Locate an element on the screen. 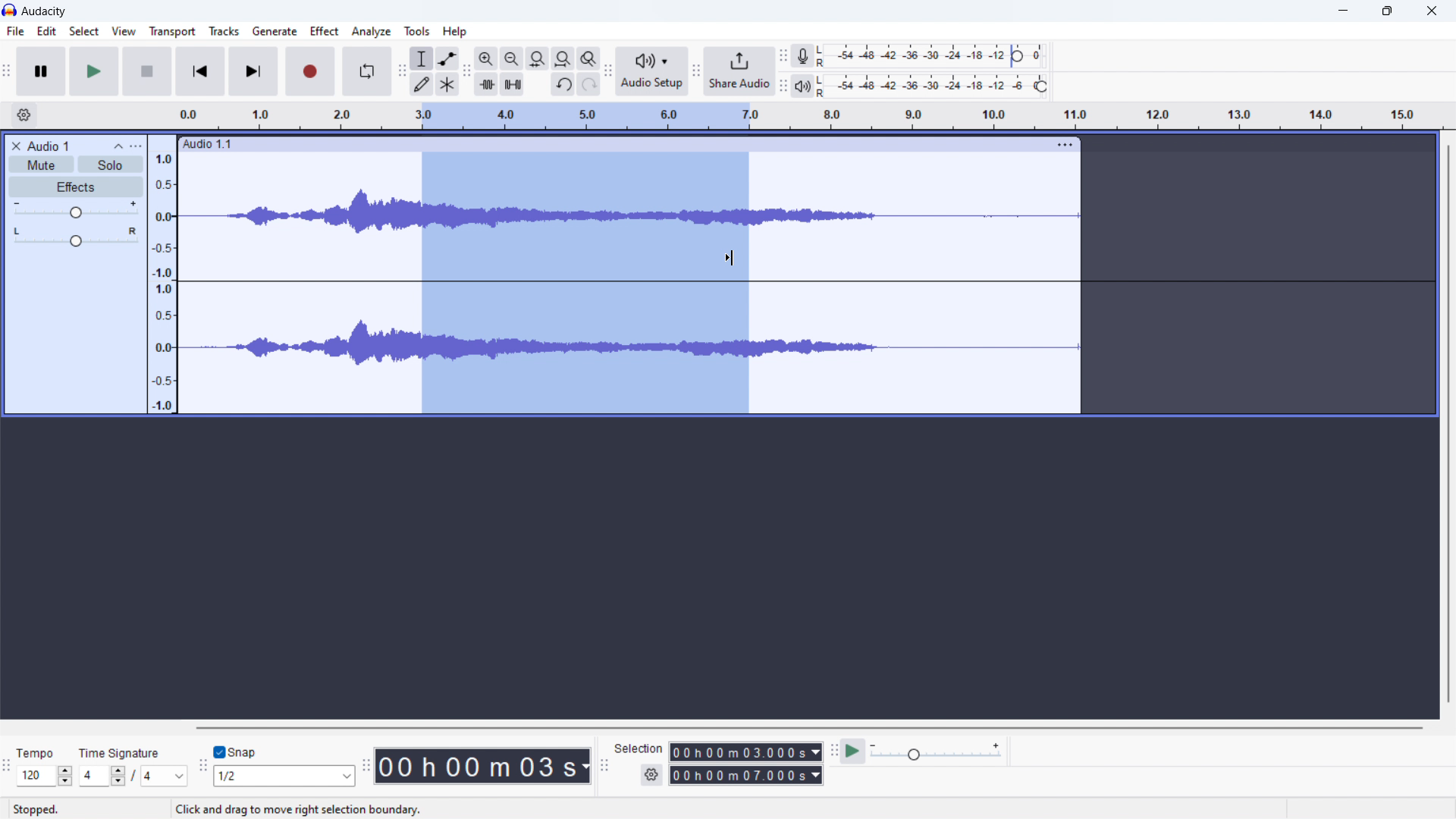 The width and height of the screenshot is (1456, 819). effects is located at coordinates (75, 187).